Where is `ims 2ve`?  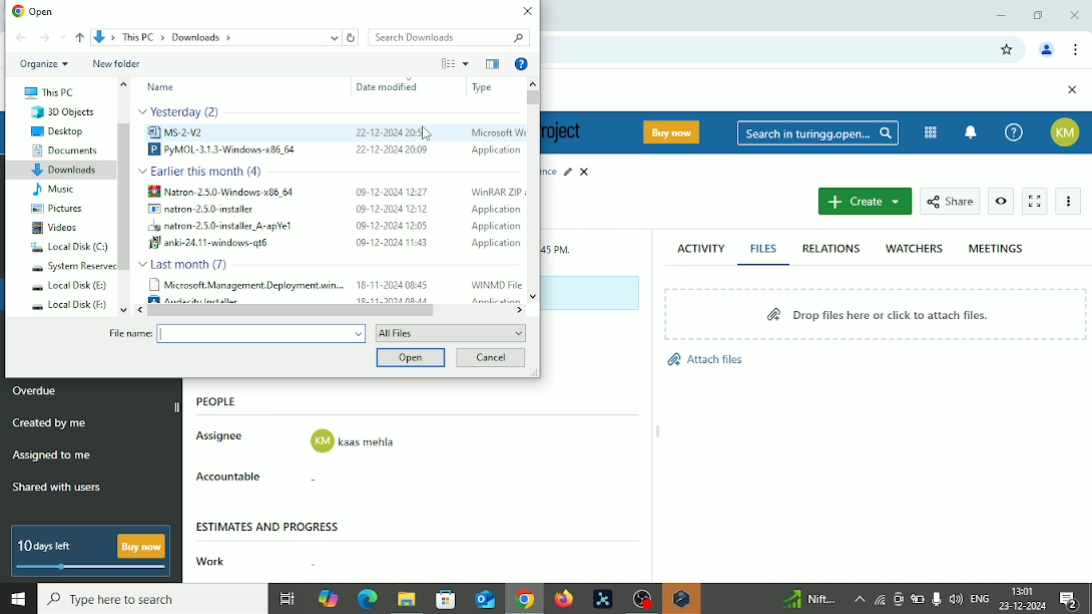 ims 2ve is located at coordinates (186, 132).